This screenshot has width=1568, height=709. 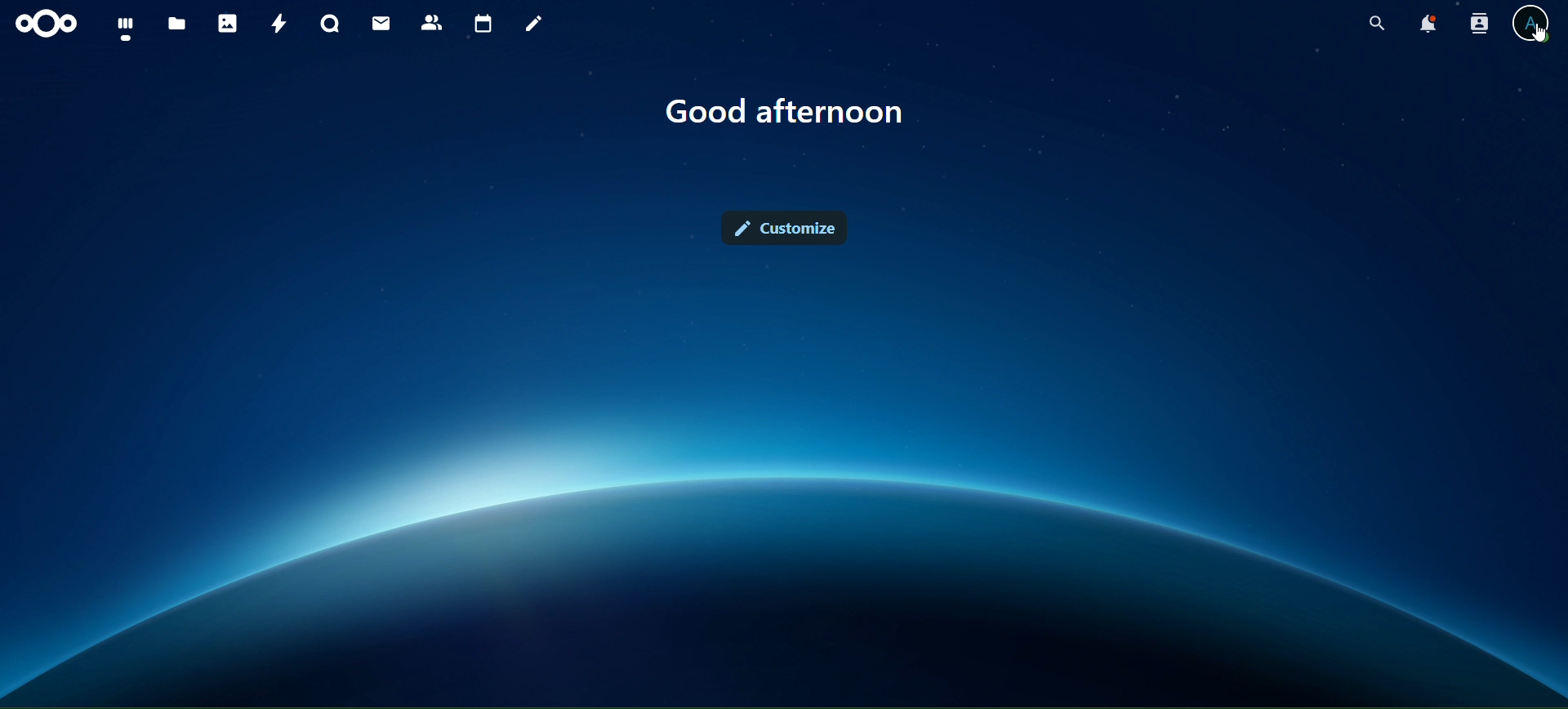 What do you see at coordinates (178, 22) in the screenshot?
I see `files` at bounding box center [178, 22].